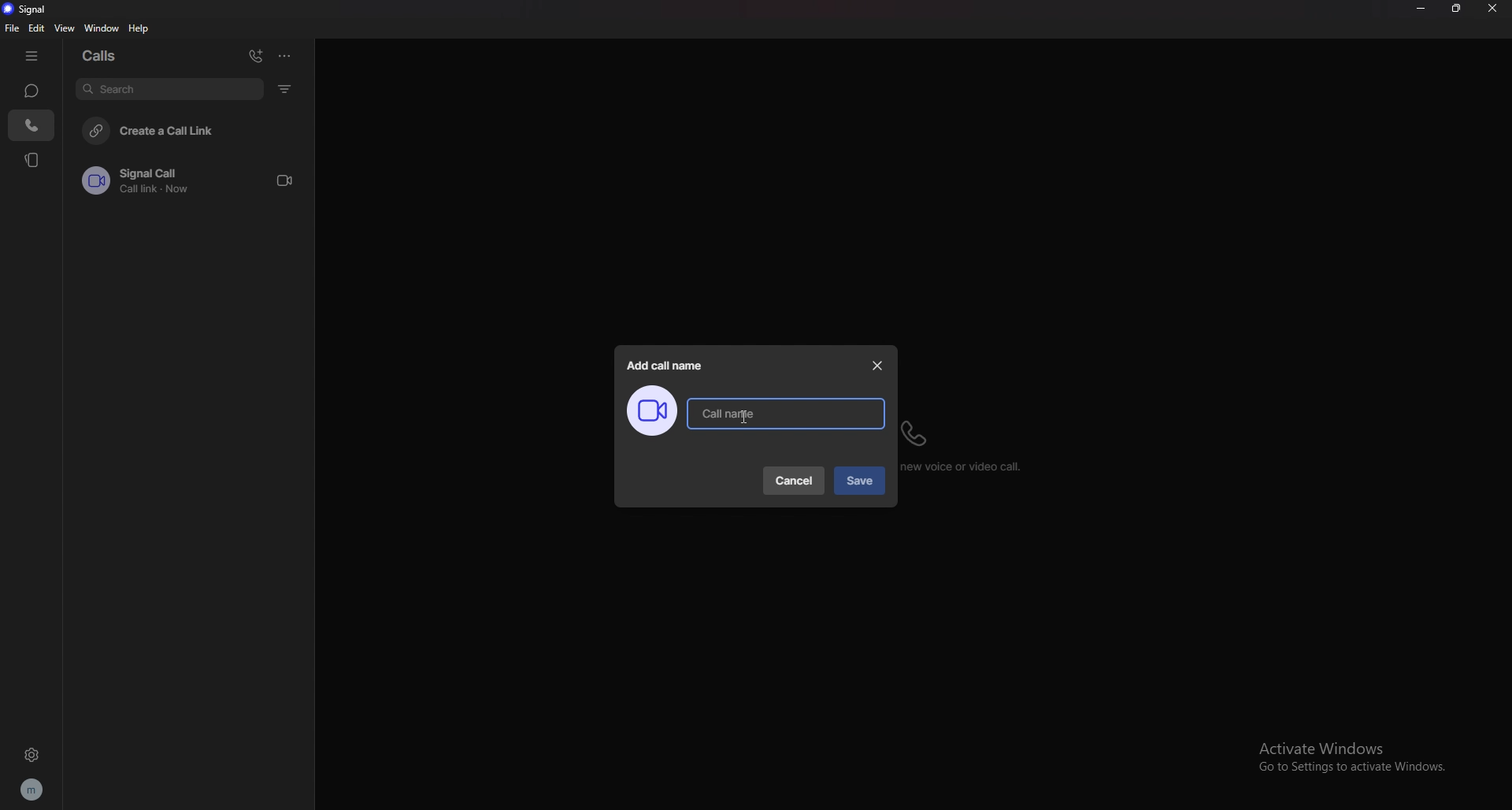  What do you see at coordinates (105, 54) in the screenshot?
I see `calls` at bounding box center [105, 54].